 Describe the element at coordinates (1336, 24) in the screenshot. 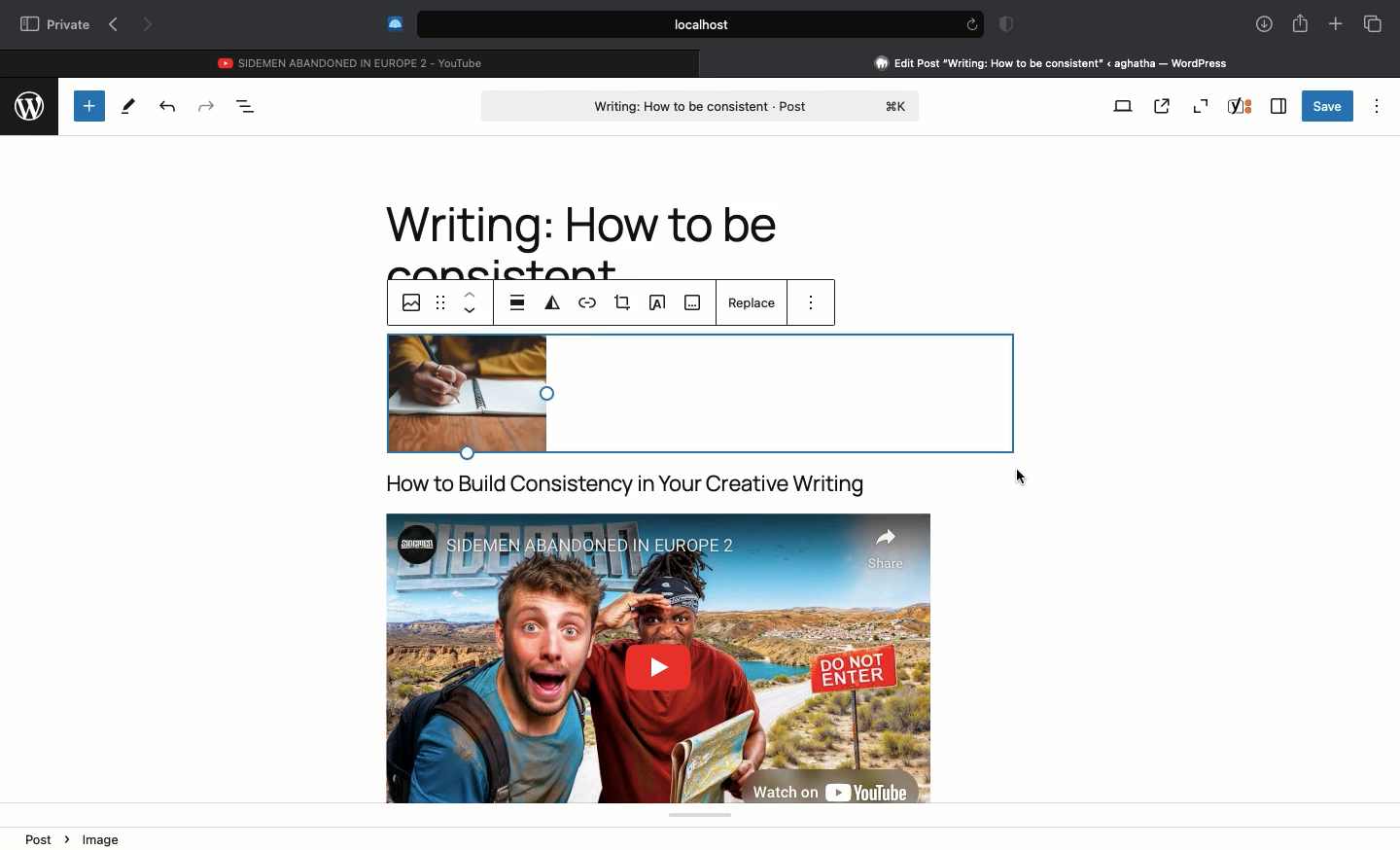

I see `New tab` at that location.